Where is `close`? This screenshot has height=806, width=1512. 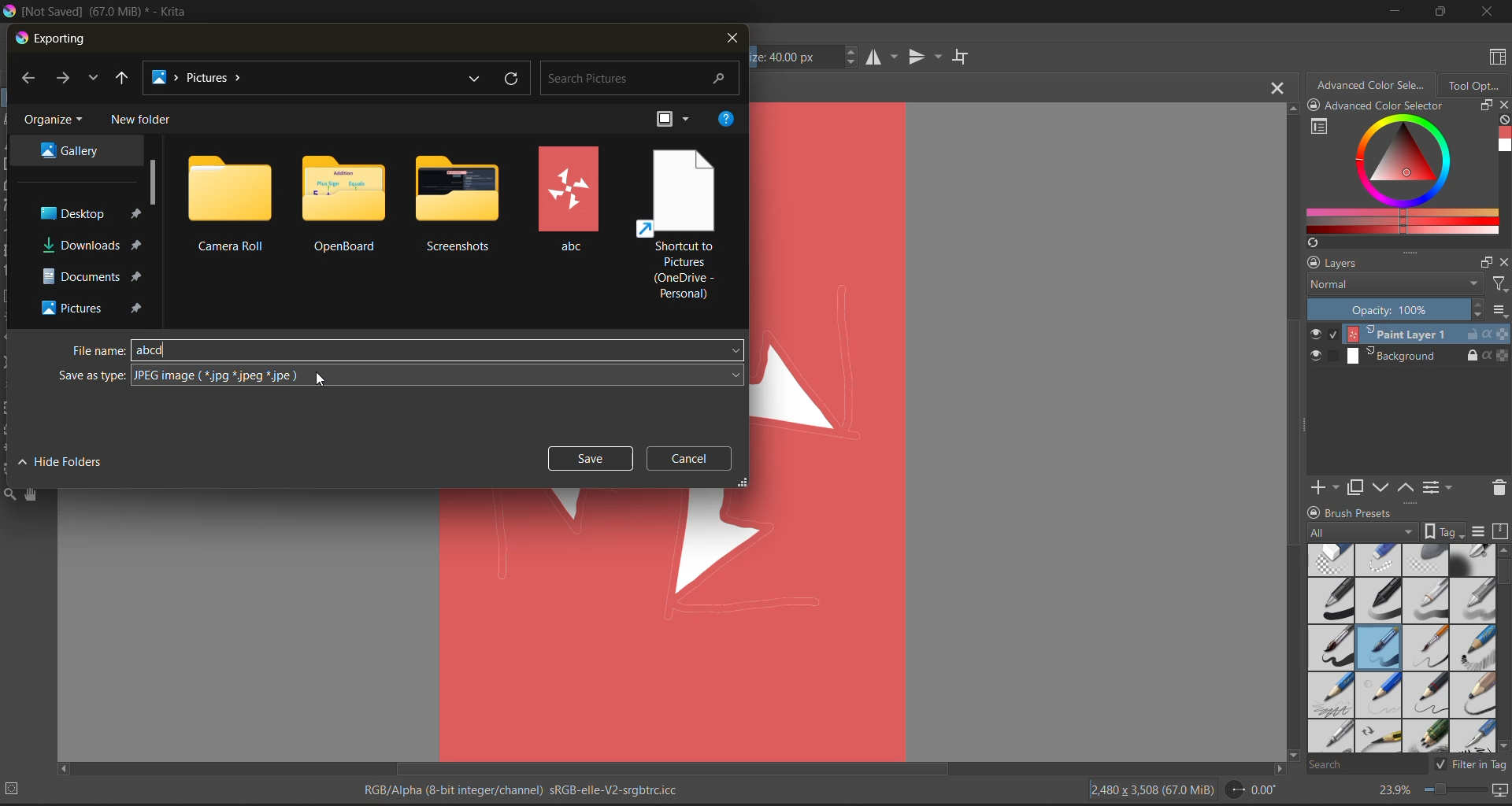
close is located at coordinates (728, 42).